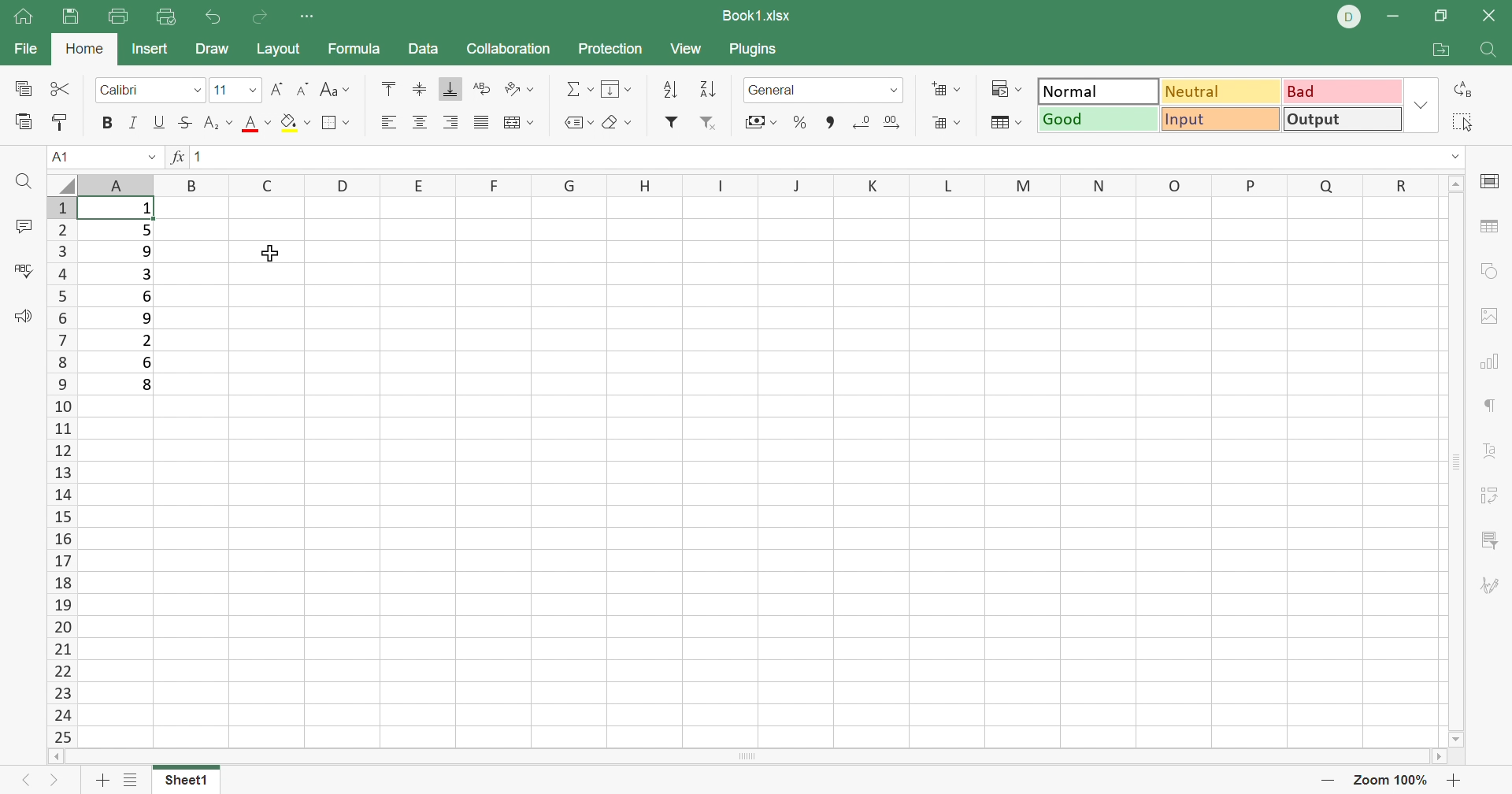 Image resolution: width=1512 pixels, height=794 pixels. What do you see at coordinates (759, 184) in the screenshot?
I see `Row` at bounding box center [759, 184].